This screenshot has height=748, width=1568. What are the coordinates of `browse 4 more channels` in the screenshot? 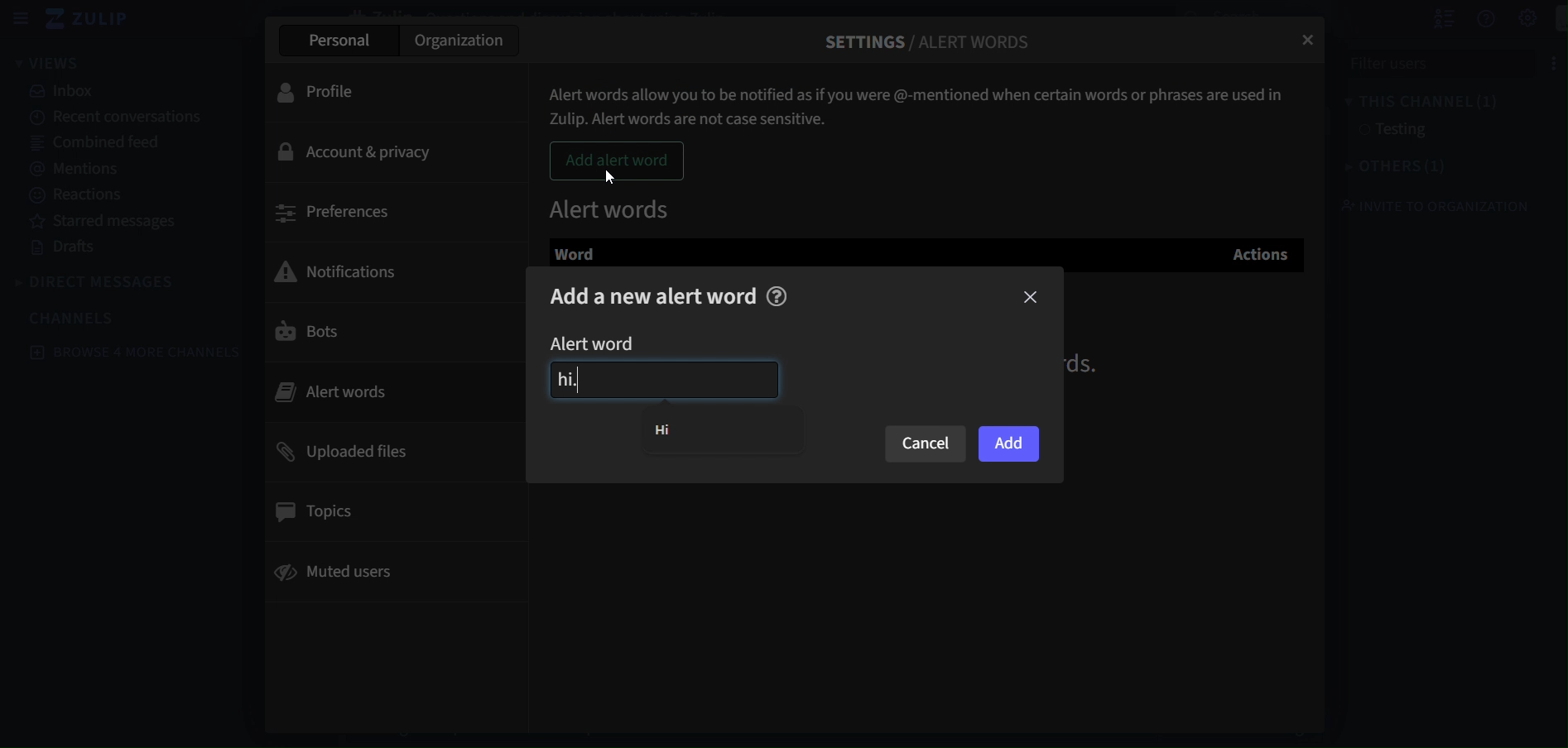 It's located at (135, 351).